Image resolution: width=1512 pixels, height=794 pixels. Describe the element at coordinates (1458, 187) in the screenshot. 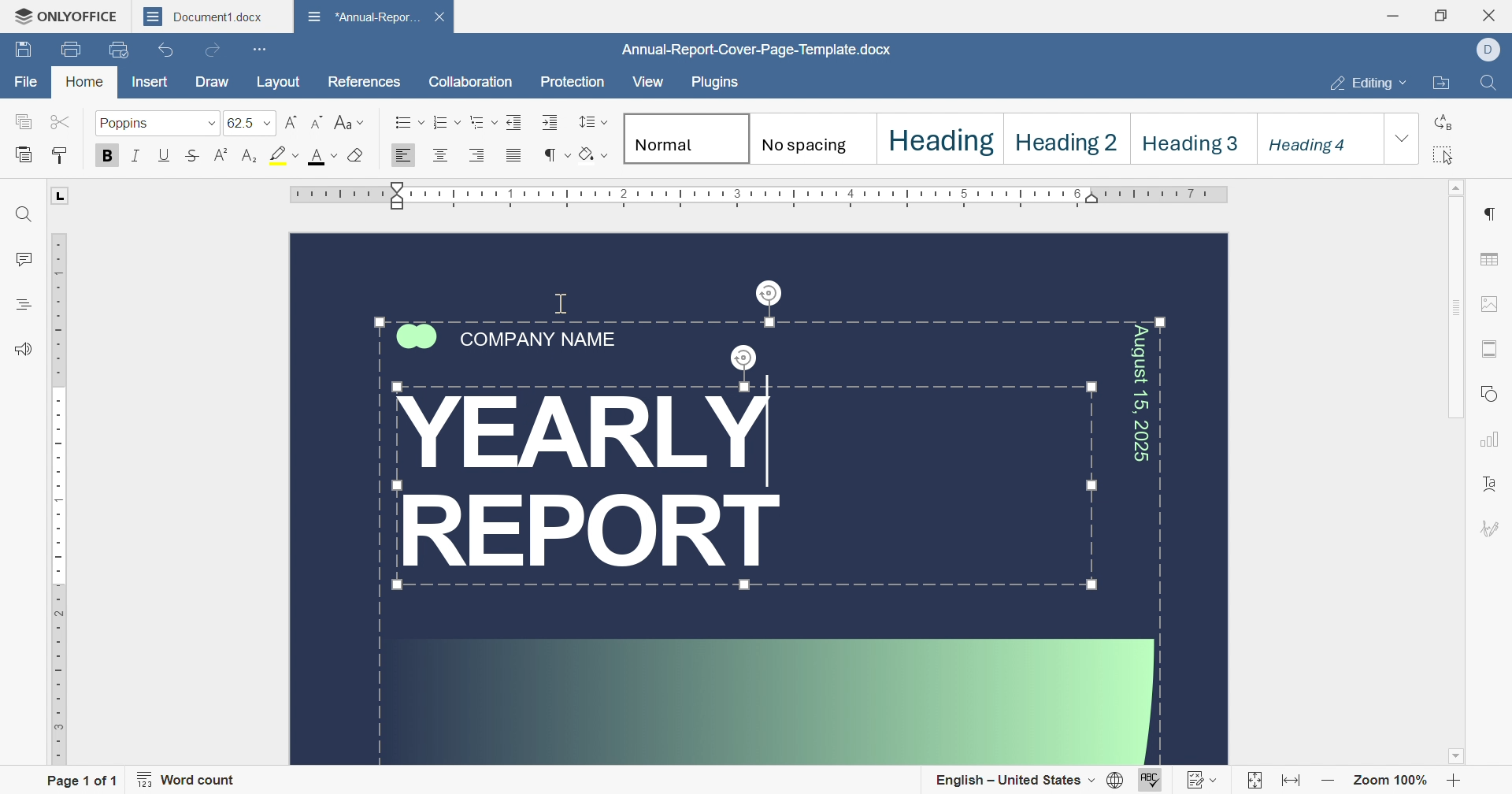

I see `scroll up` at that location.